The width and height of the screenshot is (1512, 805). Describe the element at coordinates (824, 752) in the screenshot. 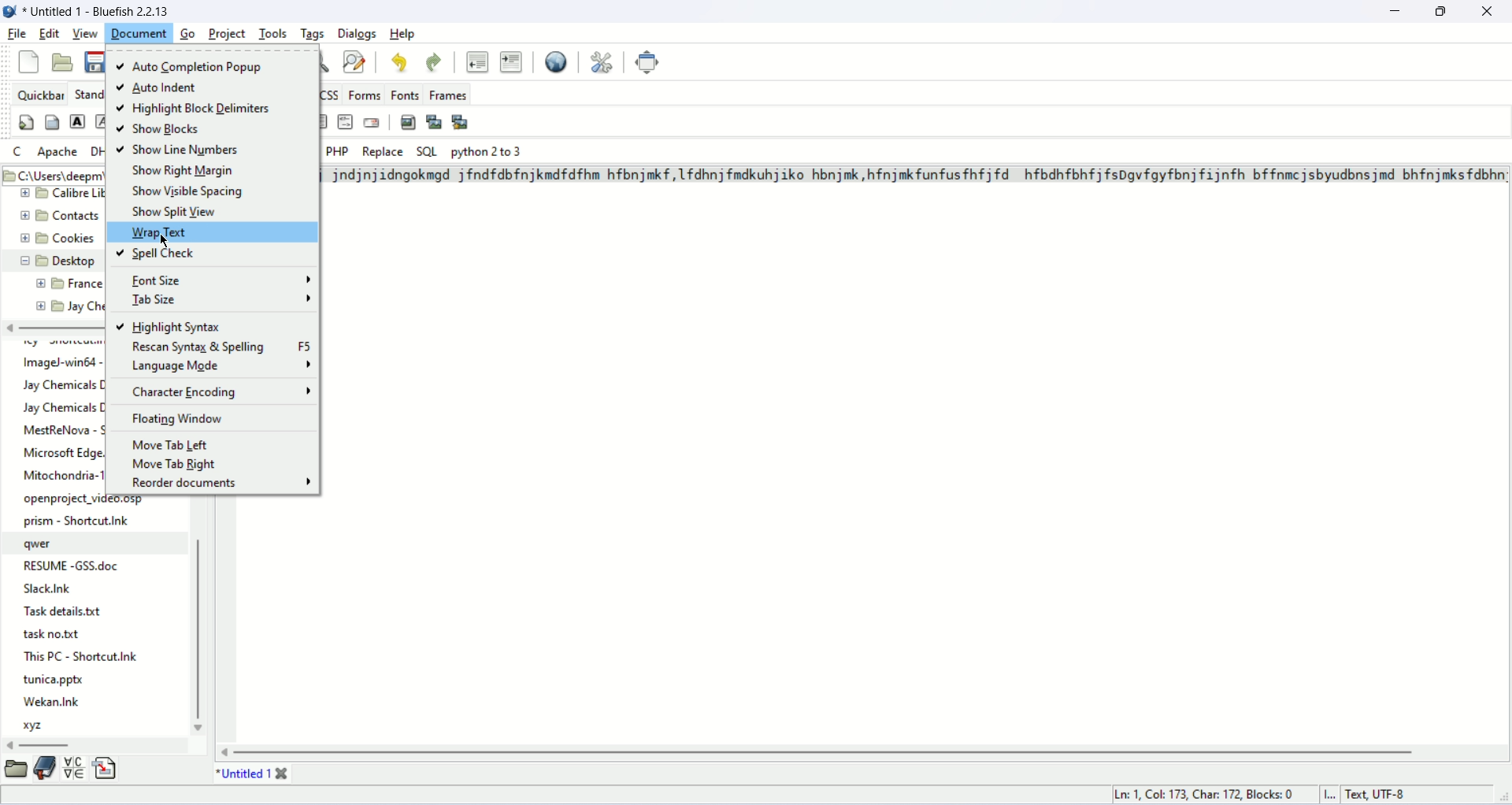

I see `vertical scroll bar` at that location.